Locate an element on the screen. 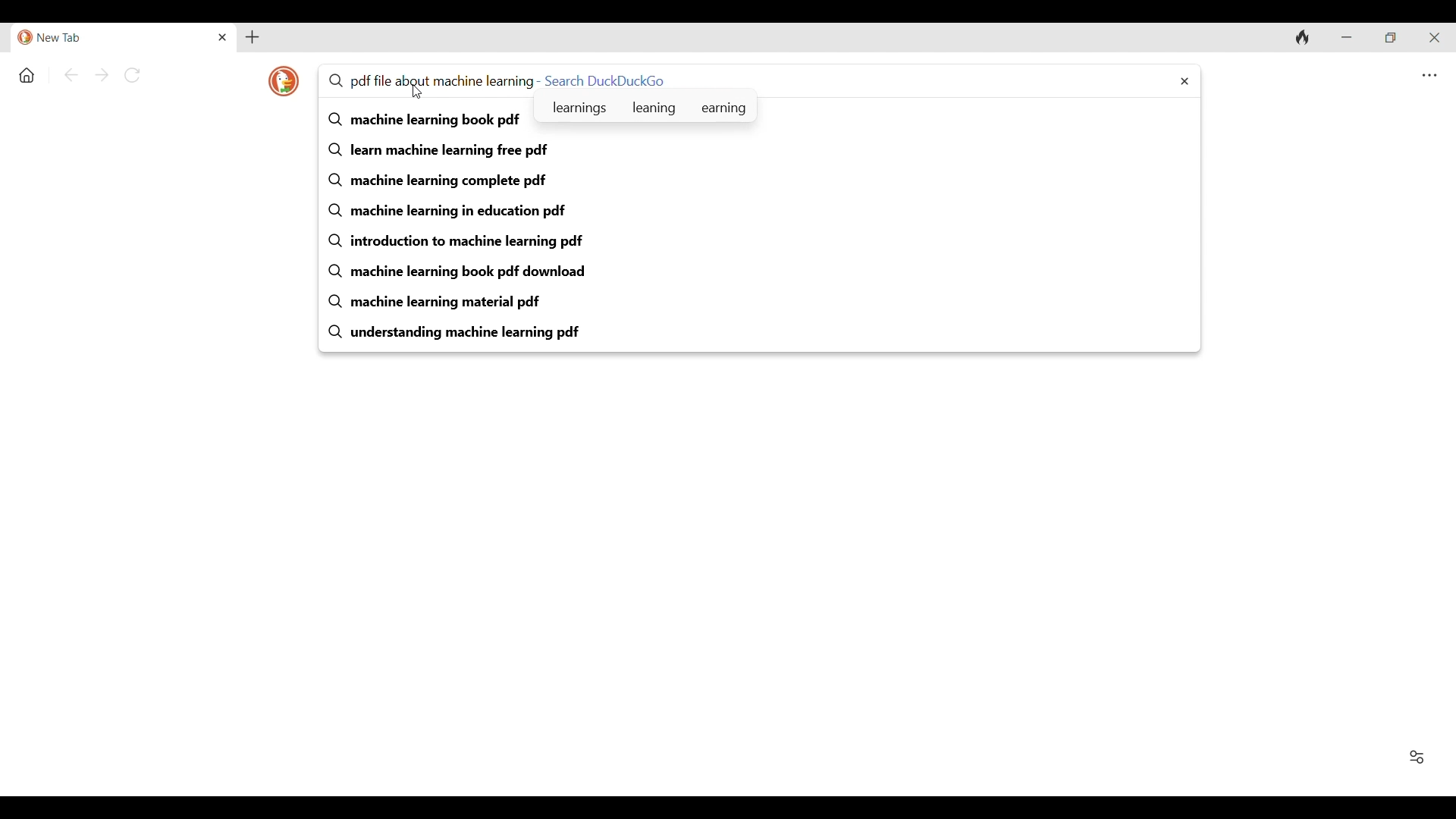  Go forward is located at coordinates (102, 75).